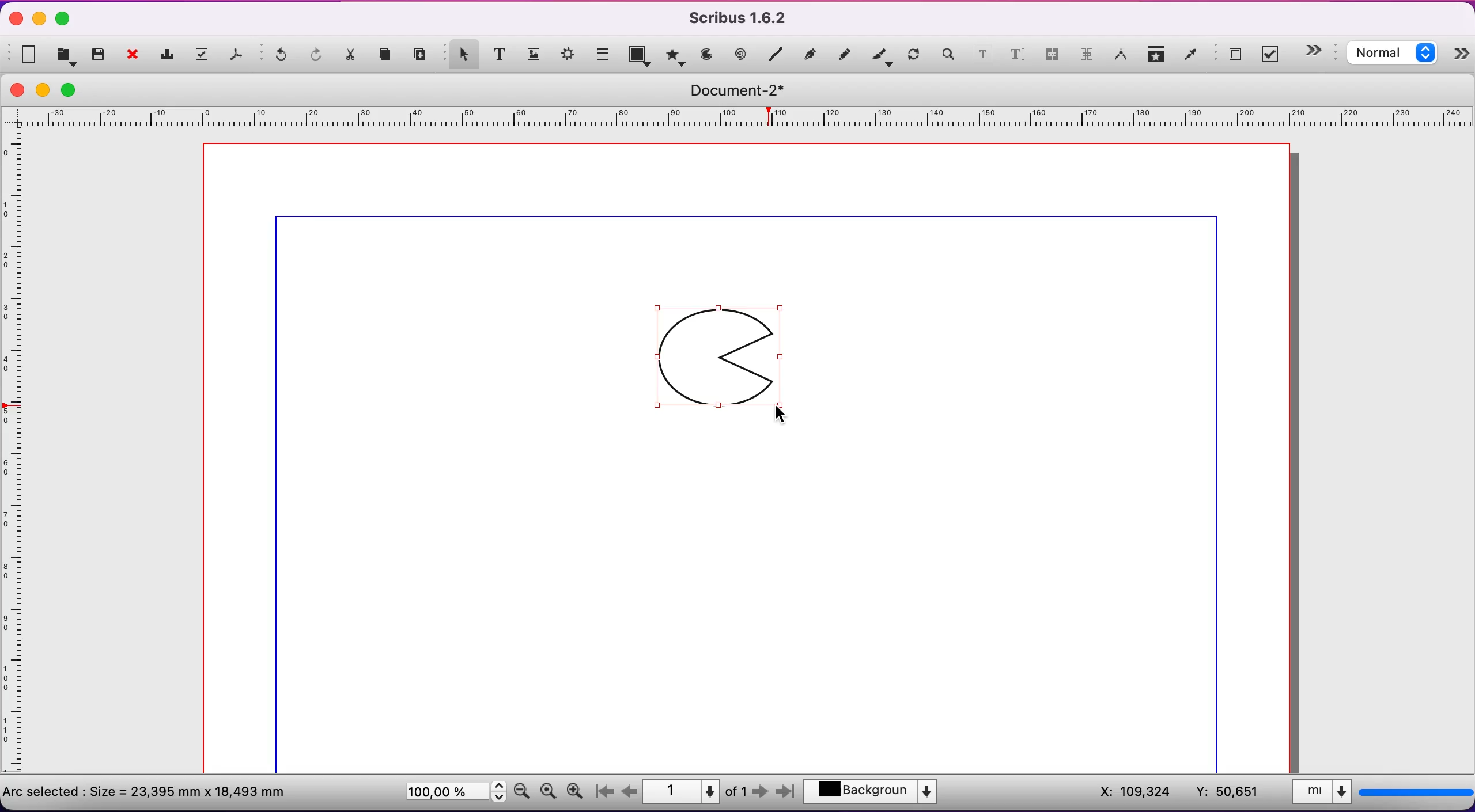 This screenshot has width=1475, height=812. Describe the element at coordinates (882, 56) in the screenshot. I see `calligraphic line` at that location.